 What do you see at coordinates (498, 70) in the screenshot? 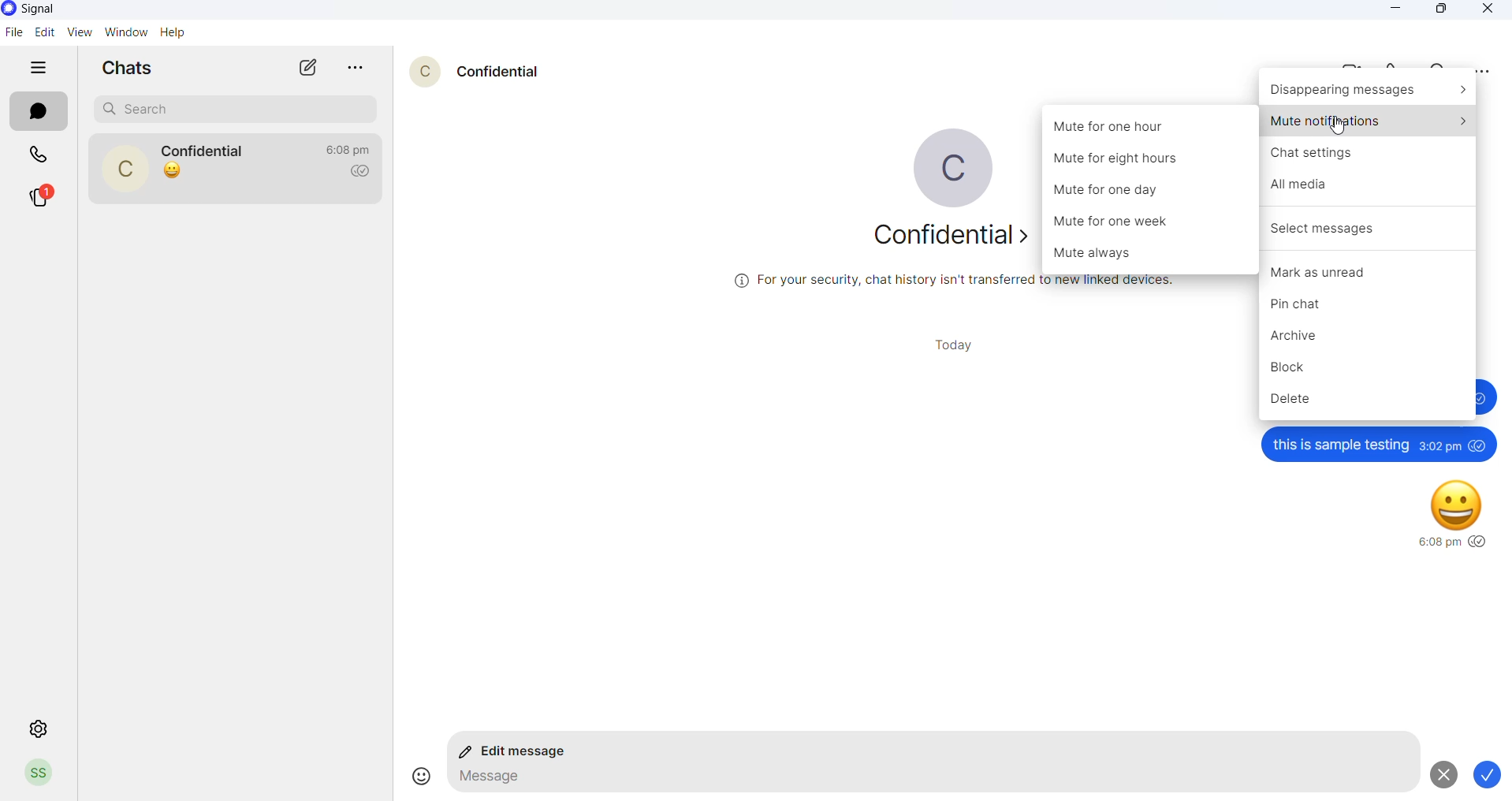
I see `contact name` at bounding box center [498, 70].